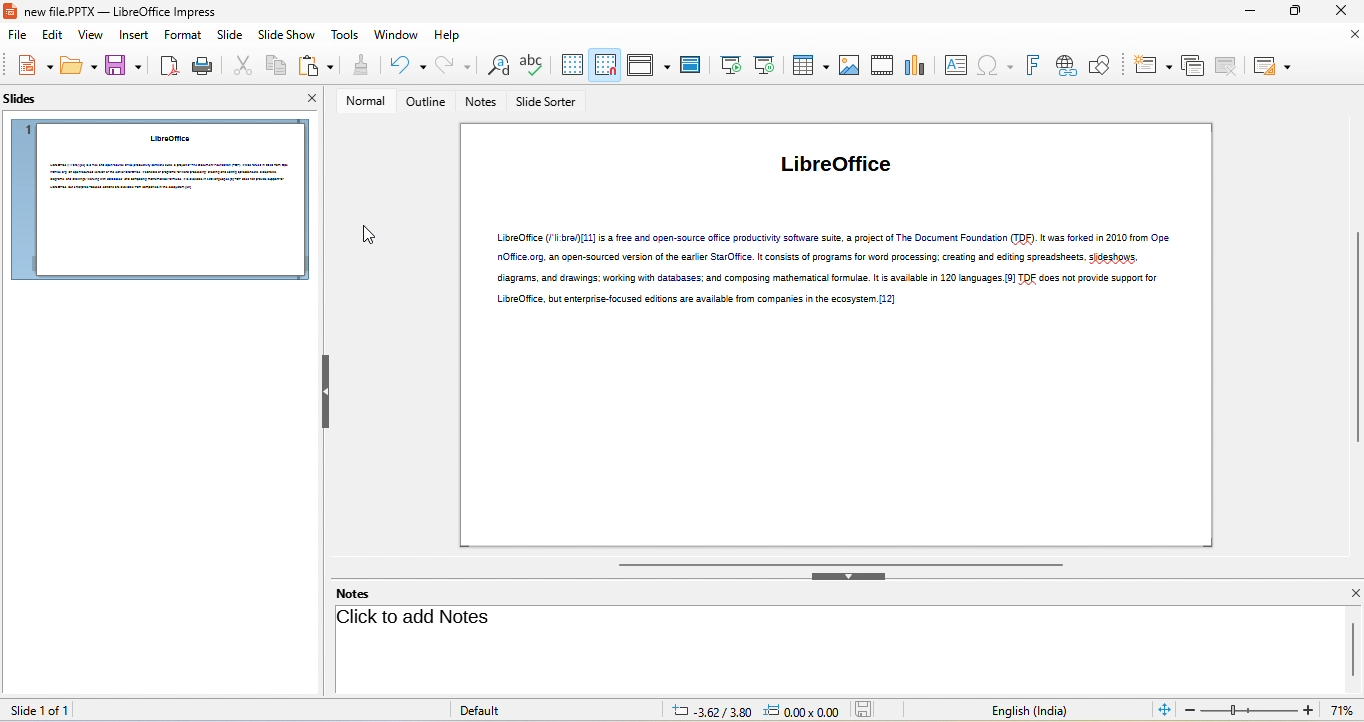  Describe the element at coordinates (326, 393) in the screenshot. I see `hide left sidebar` at that location.